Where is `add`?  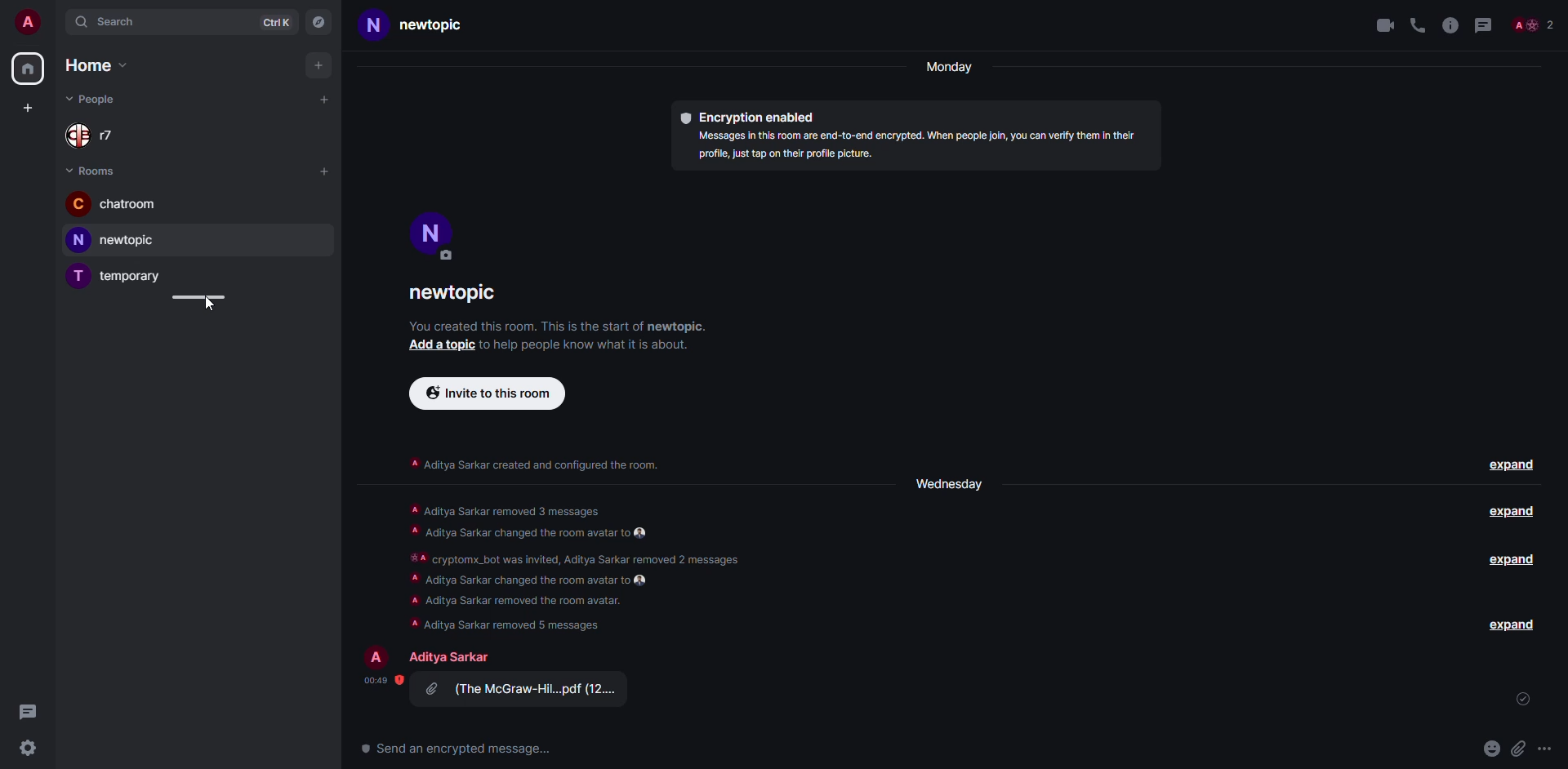
add is located at coordinates (443, 347).